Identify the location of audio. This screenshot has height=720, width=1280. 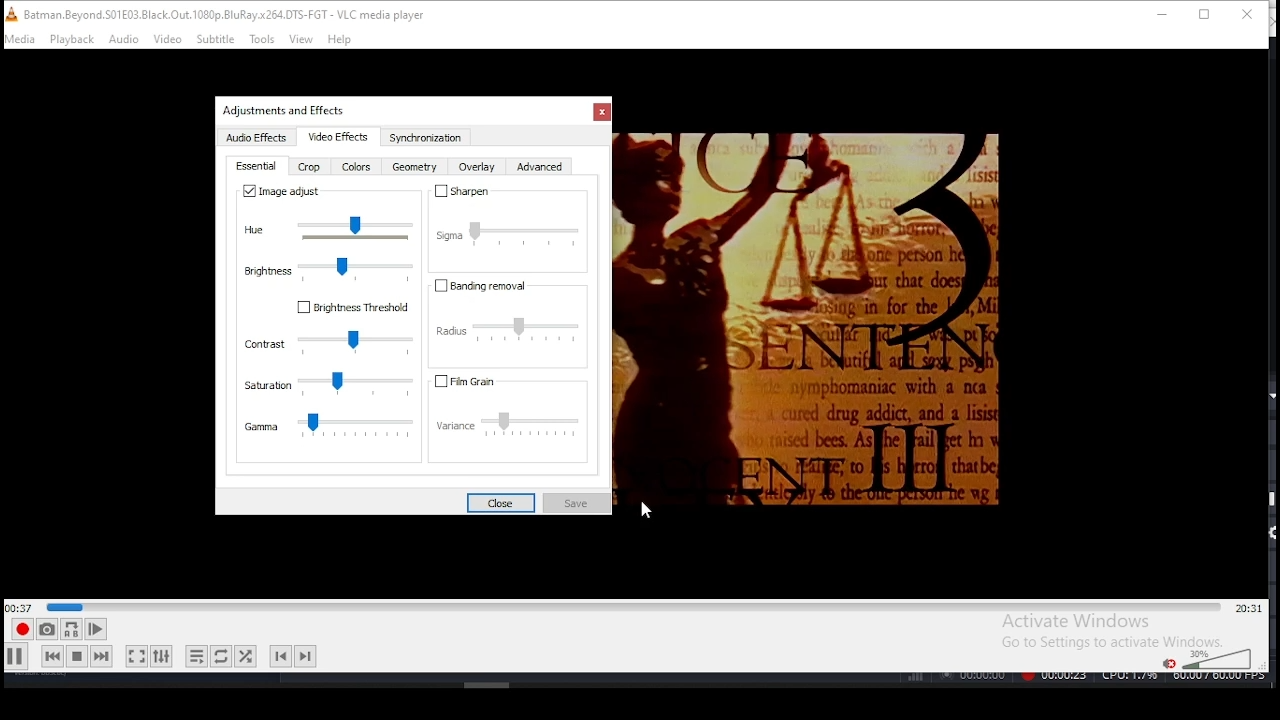
(125, 40).